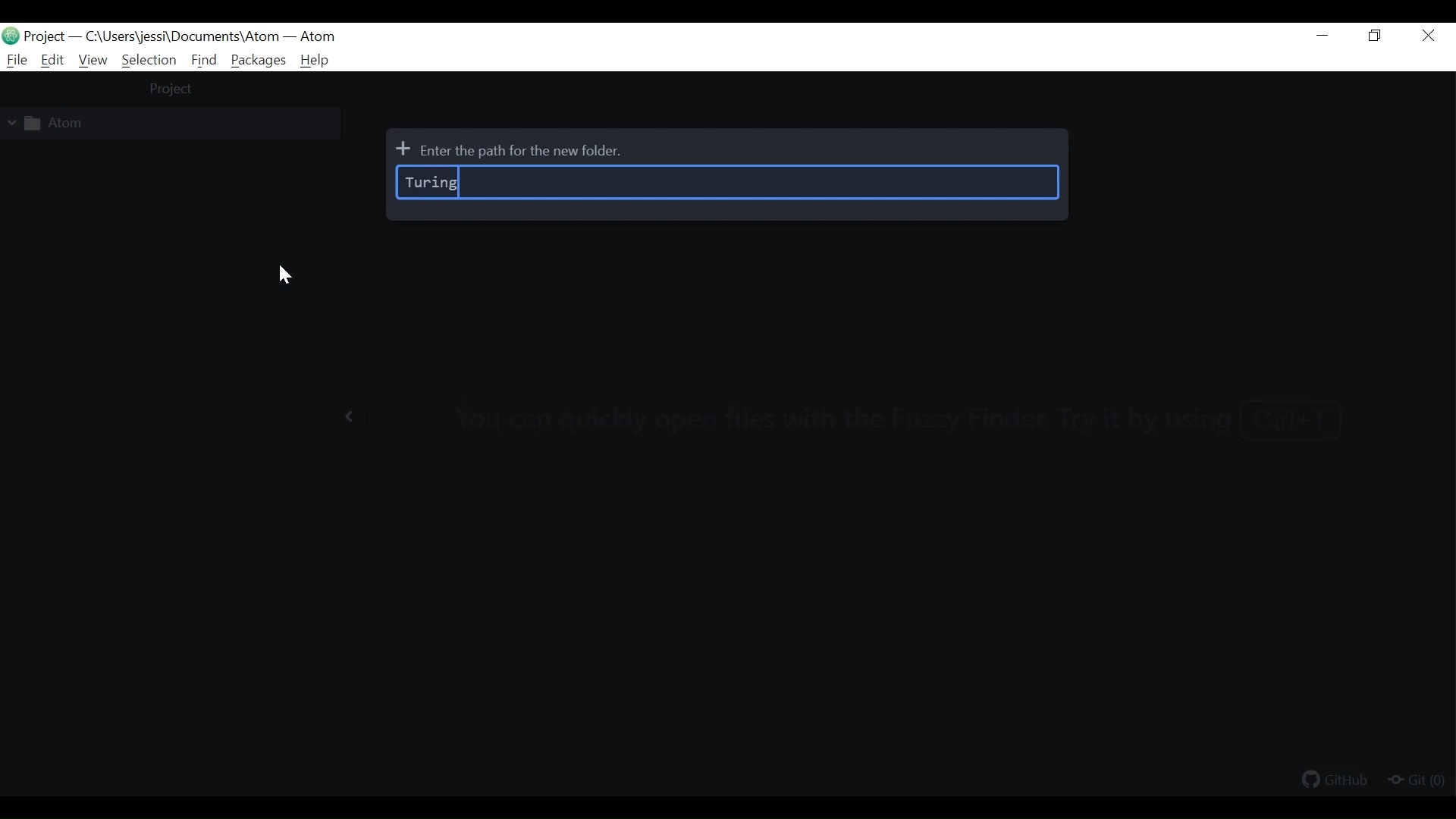  I want to click on Help, so click(315, 61).